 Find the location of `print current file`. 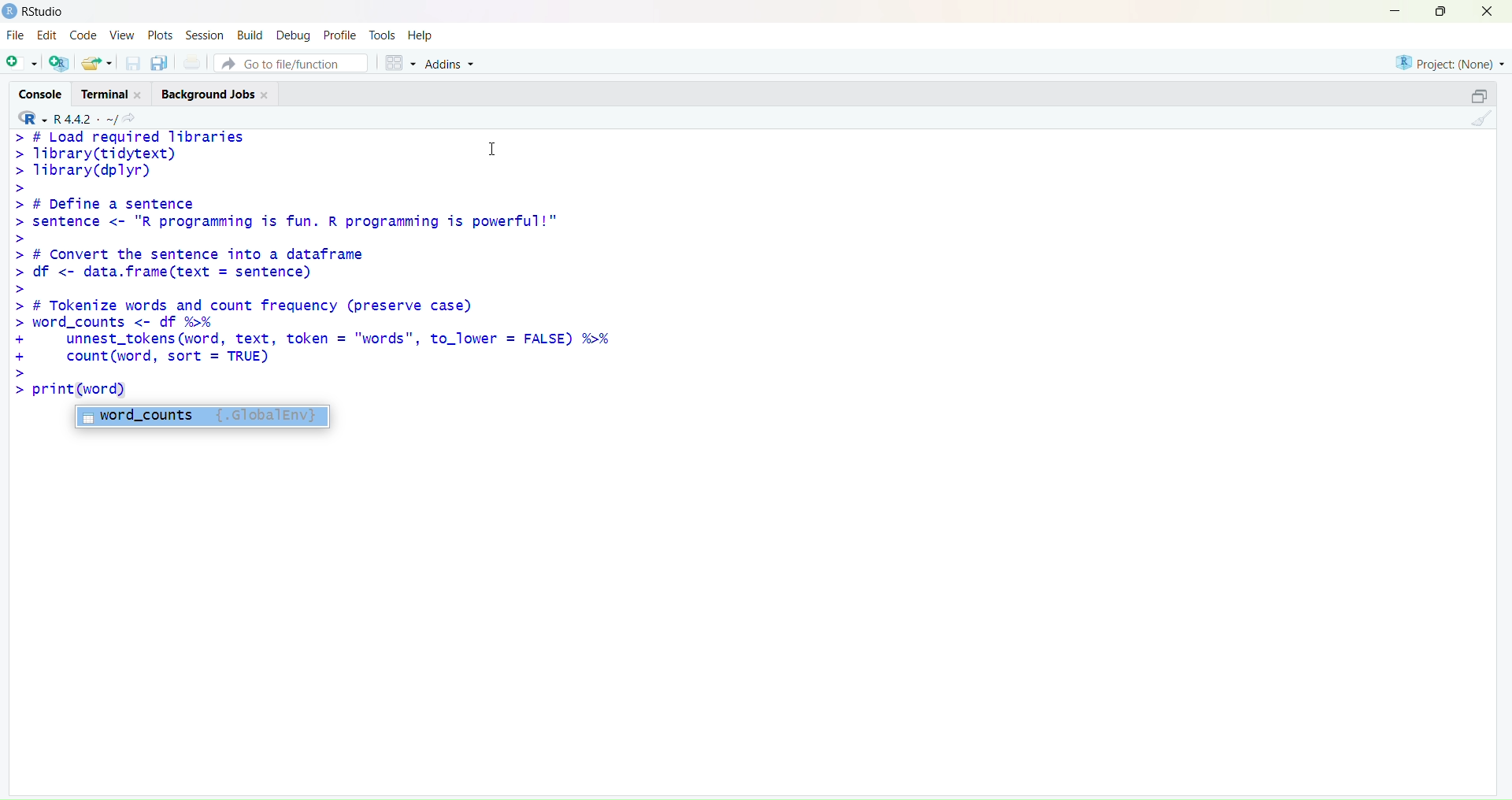

print current file is located at coordinates (192, 64).